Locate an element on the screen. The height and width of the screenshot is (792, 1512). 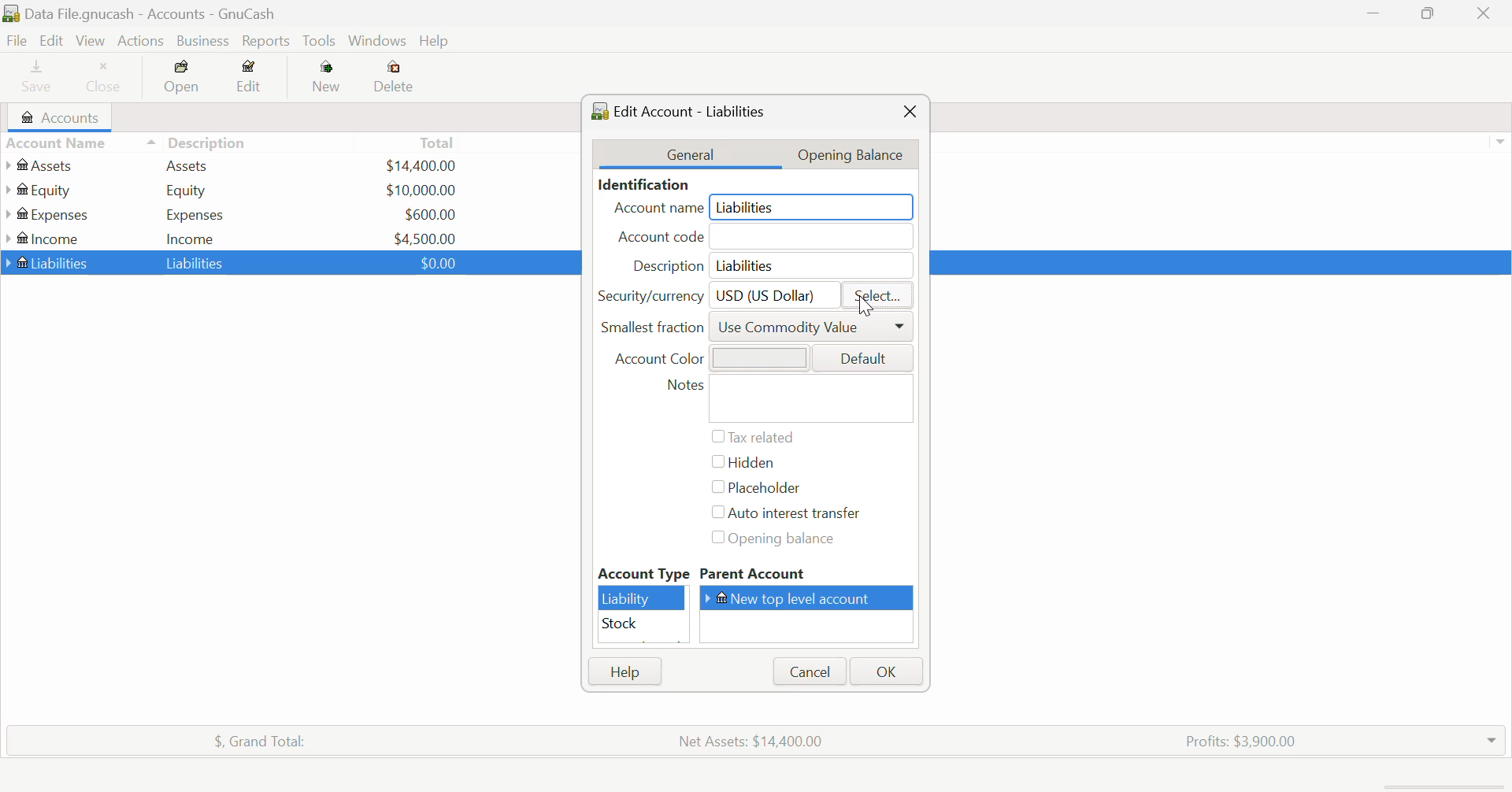
Close Window is located at coordinates (1488, 13).